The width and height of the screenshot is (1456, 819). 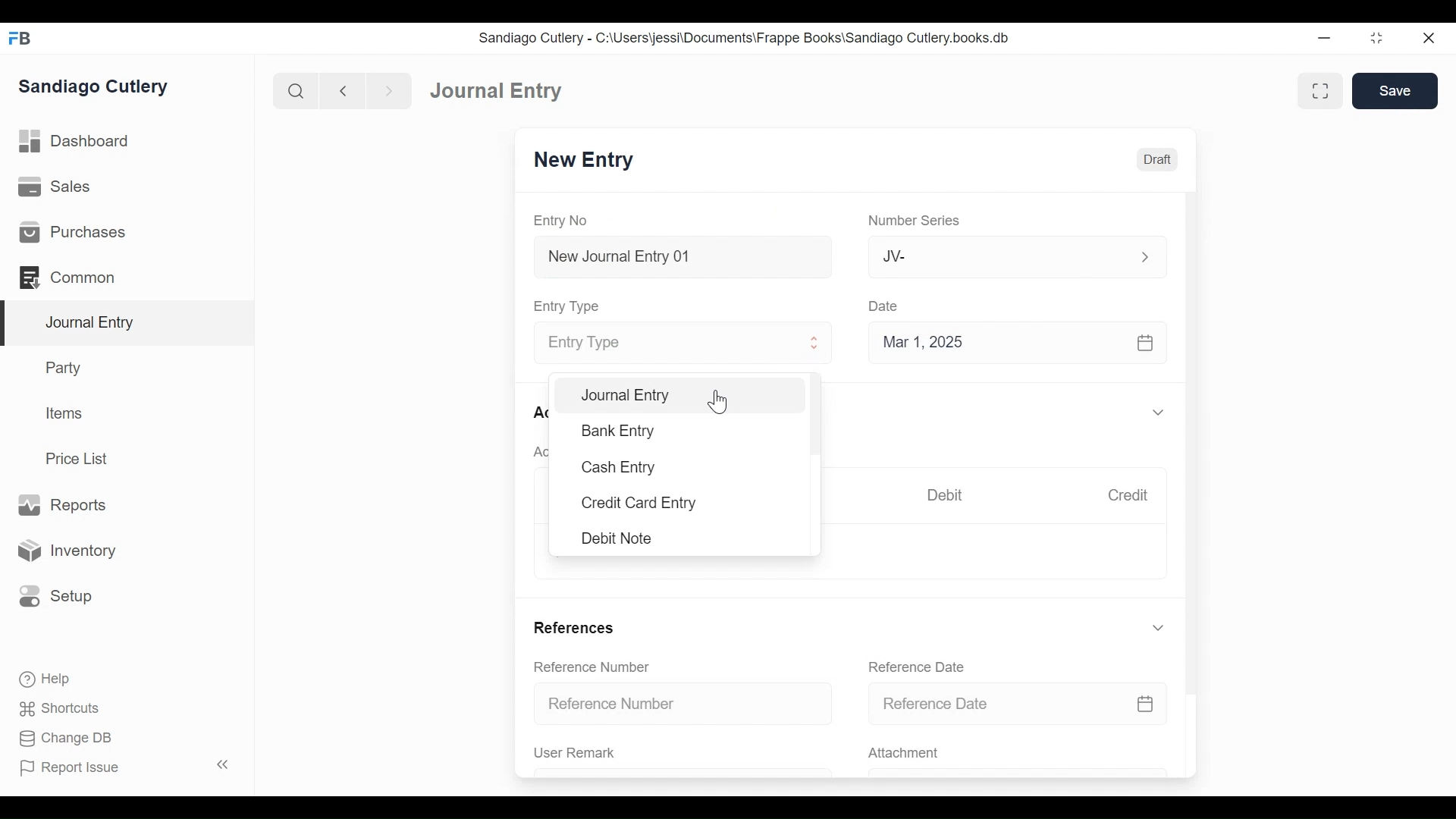 What do you see at coordinates (626, 467) in the screenshot?
I see `Cash Entry` at bounding box center [626, 467].